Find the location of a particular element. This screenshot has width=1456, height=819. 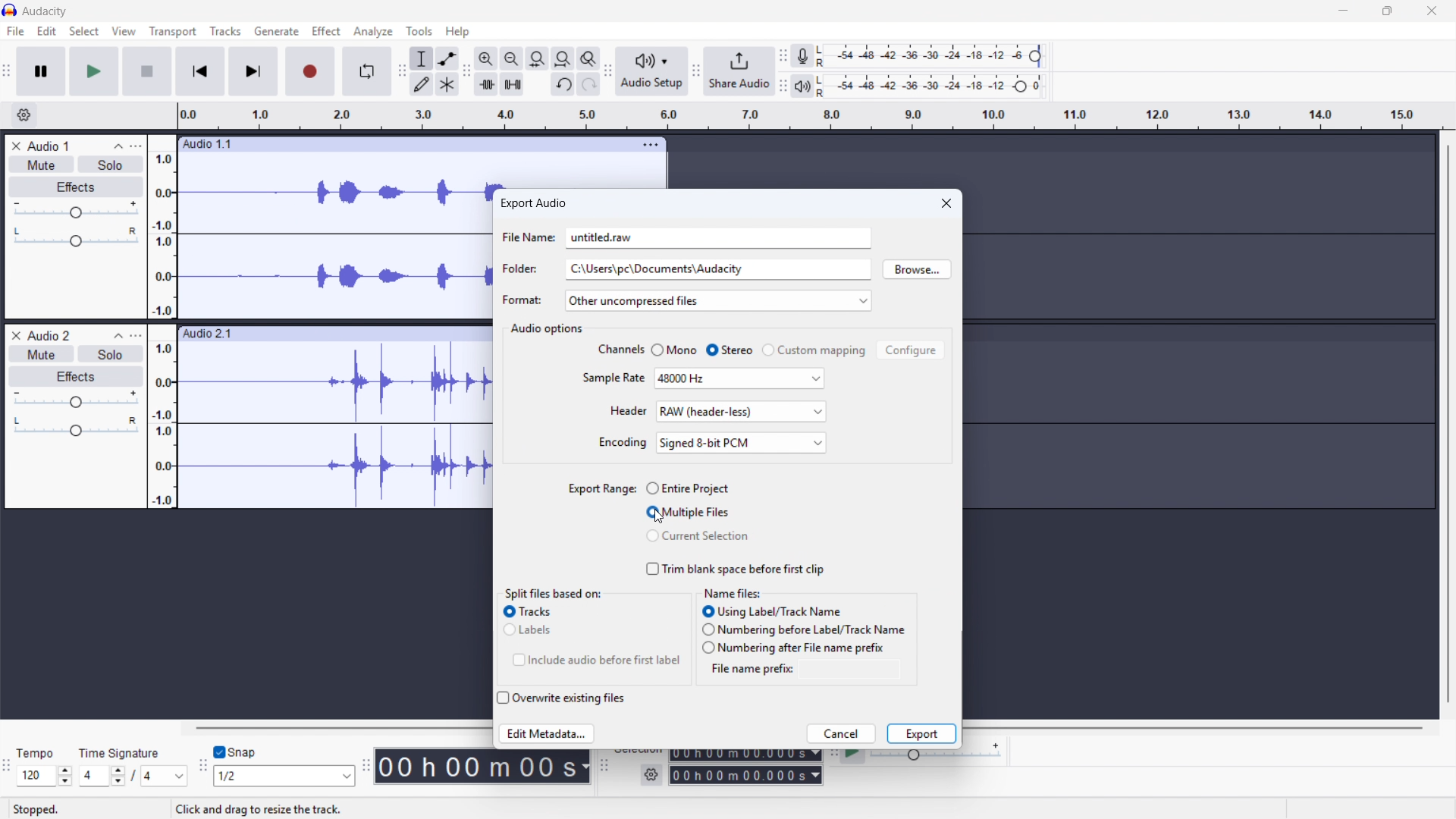

Audio 1 is located at coordinates (49, 146).